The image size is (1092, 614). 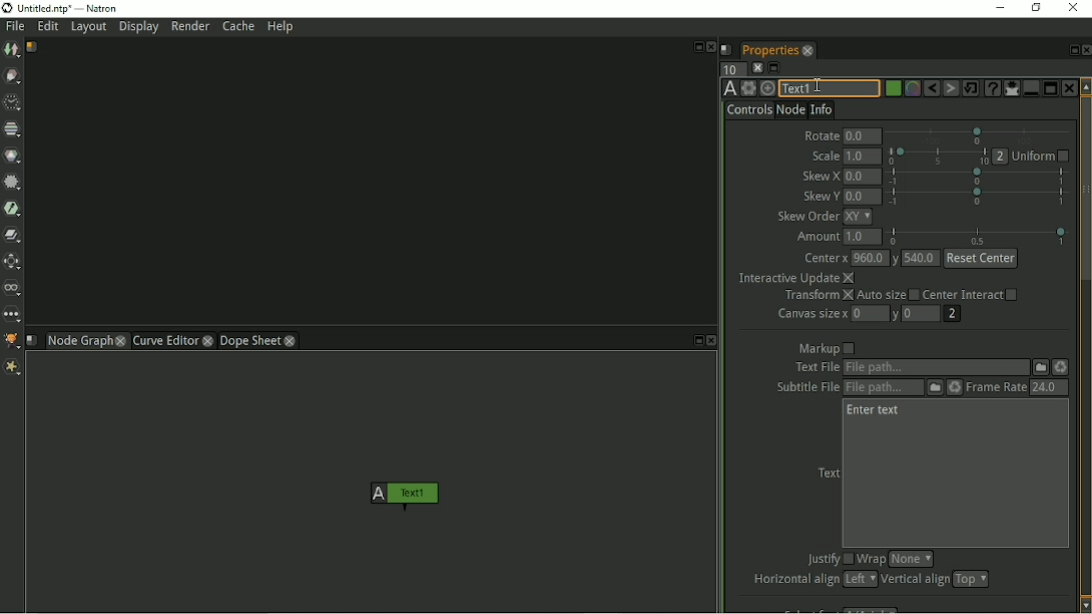 What do you see at coordinates (732, 68) in the screenshot?
I see `Maximum number of panels` at bounding box center [732, 68].